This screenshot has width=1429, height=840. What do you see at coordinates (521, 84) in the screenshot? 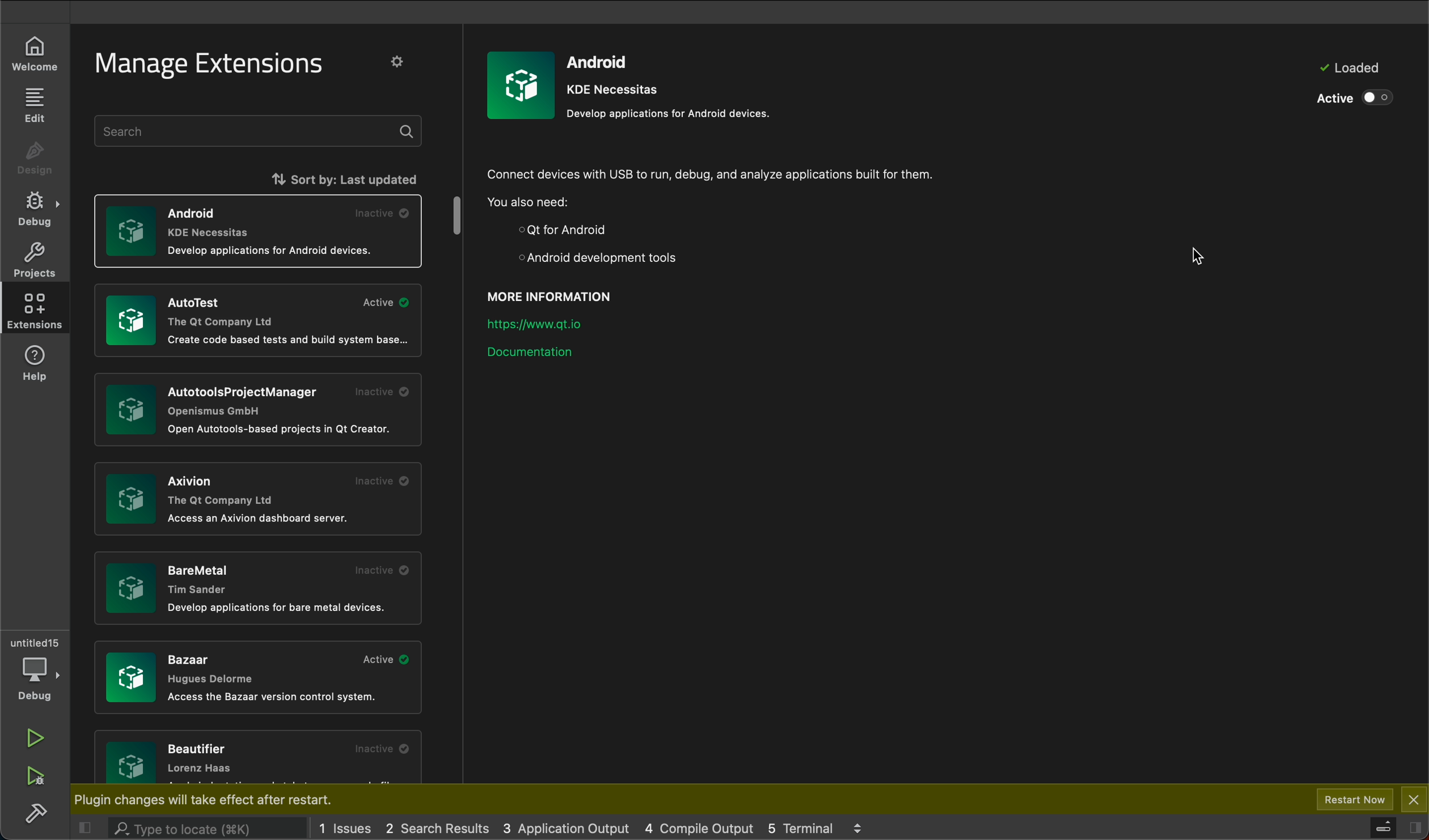
I see `logo` at bounding box center [521, 84].